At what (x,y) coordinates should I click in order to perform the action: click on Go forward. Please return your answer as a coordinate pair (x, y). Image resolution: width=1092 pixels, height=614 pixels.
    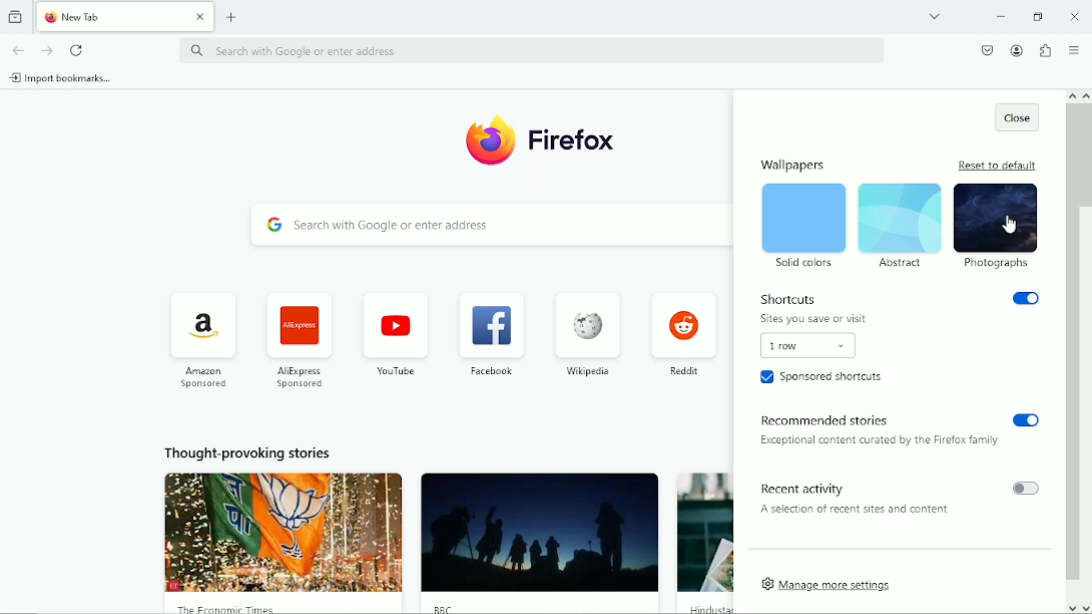
    Looking at the image, I should click on (46, 50).